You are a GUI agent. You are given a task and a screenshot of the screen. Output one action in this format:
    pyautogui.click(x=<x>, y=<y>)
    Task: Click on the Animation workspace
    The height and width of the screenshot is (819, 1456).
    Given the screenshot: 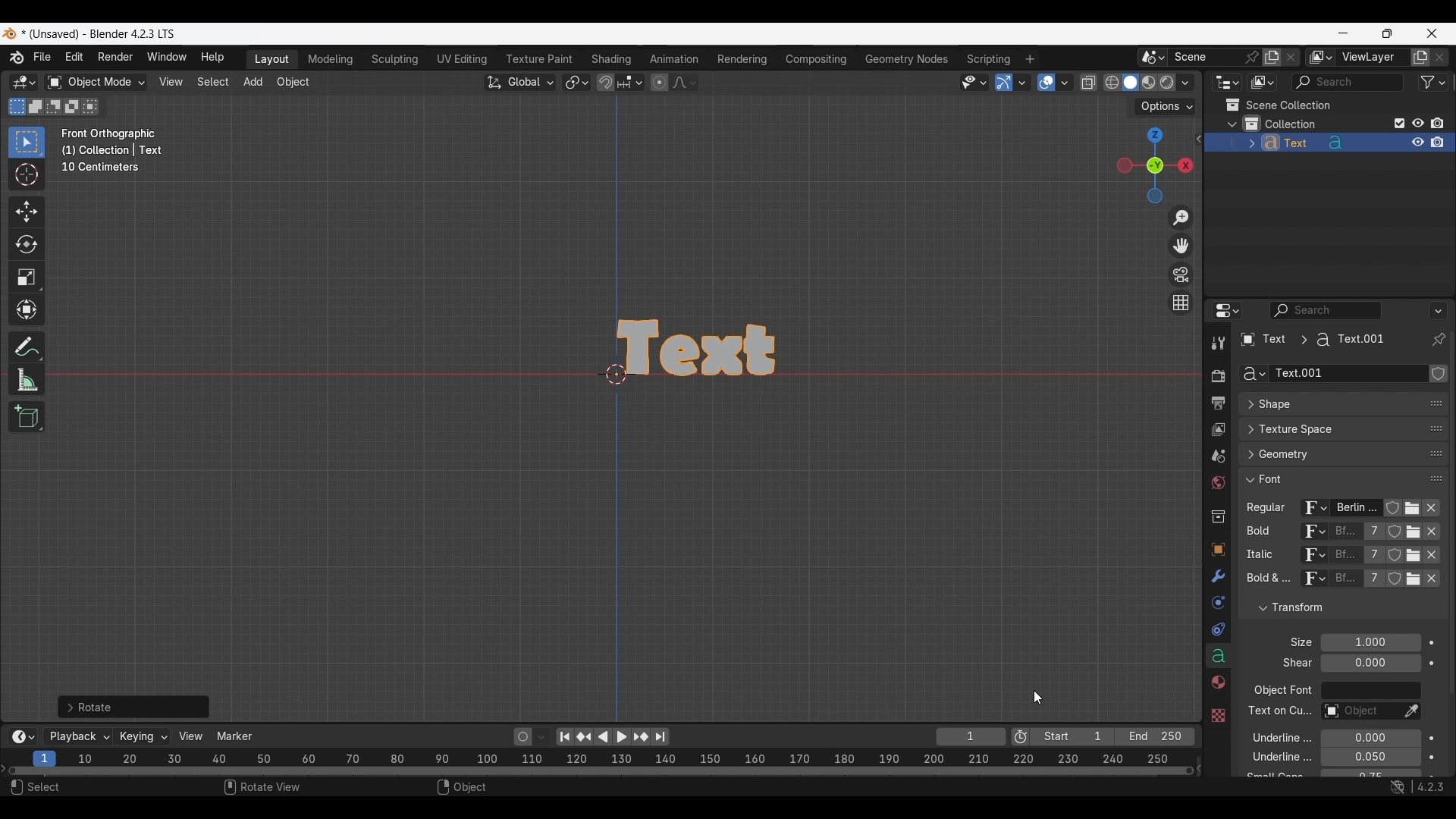 What is the action you would take?
    pyautogui.click(x=674, y=60)
    